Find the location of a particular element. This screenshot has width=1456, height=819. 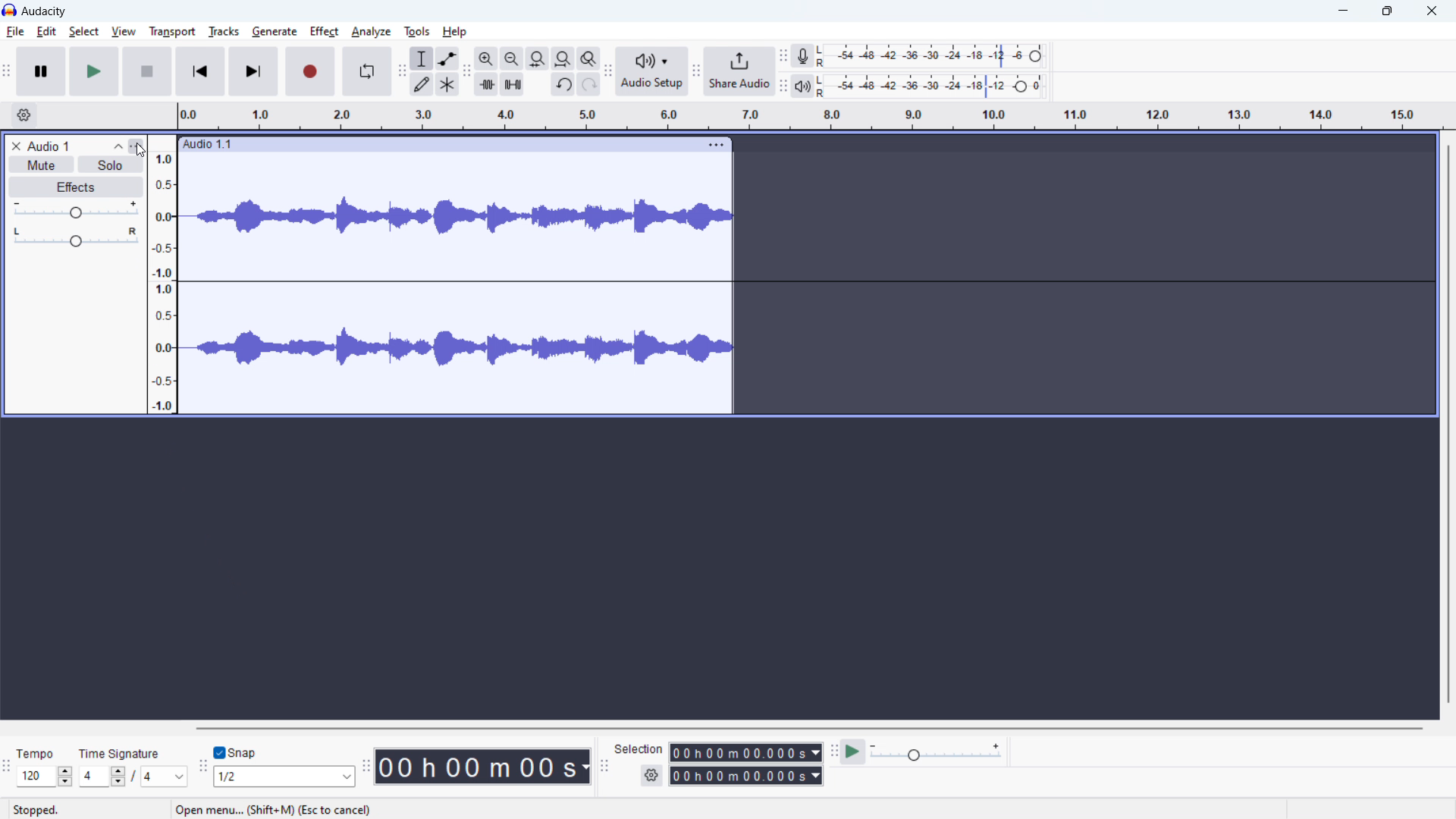

multi tool is located at coordinates (447, 84).